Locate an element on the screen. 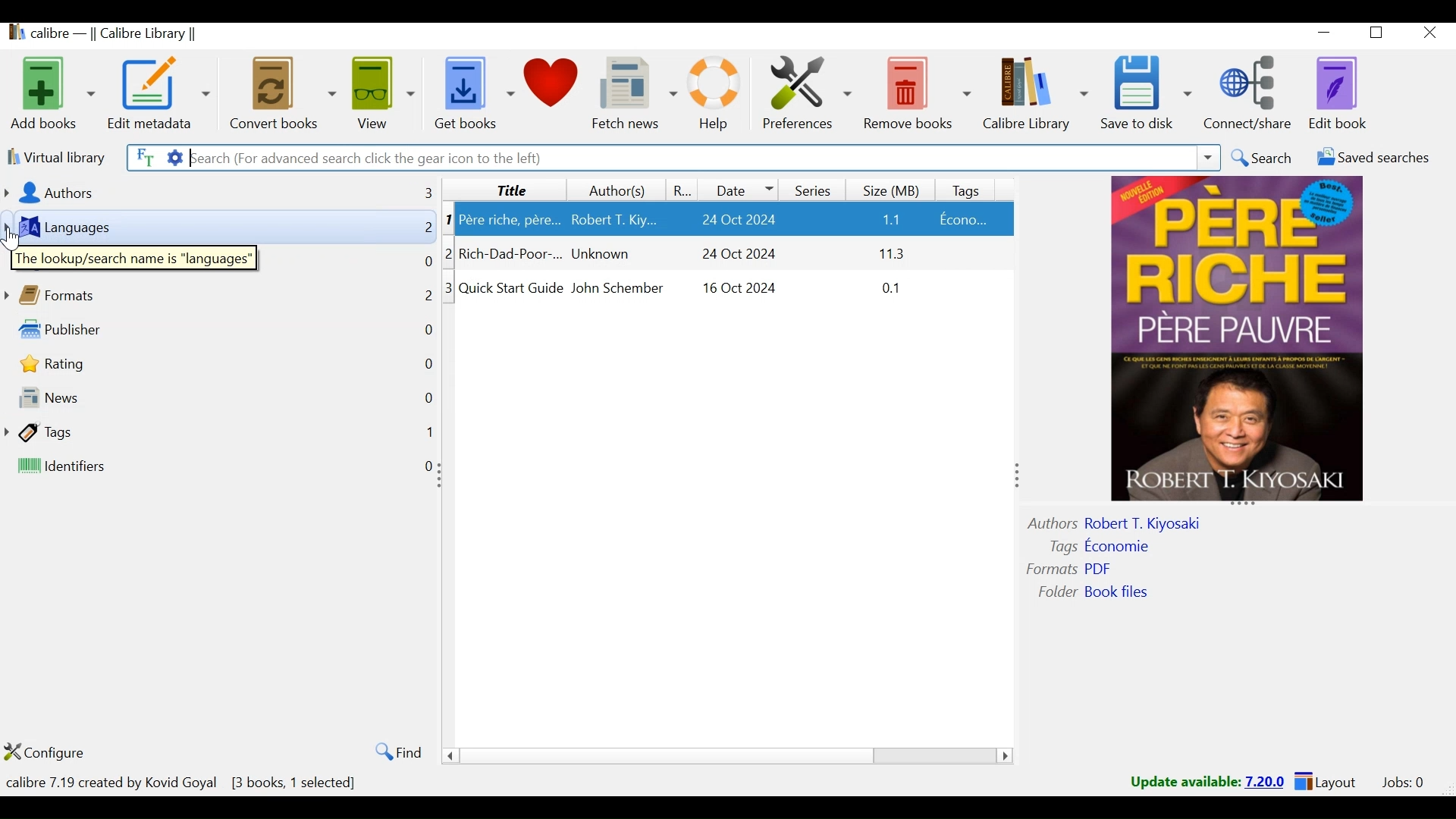 The image size is (1456, 819). Series is located at coordinates (811, 188).